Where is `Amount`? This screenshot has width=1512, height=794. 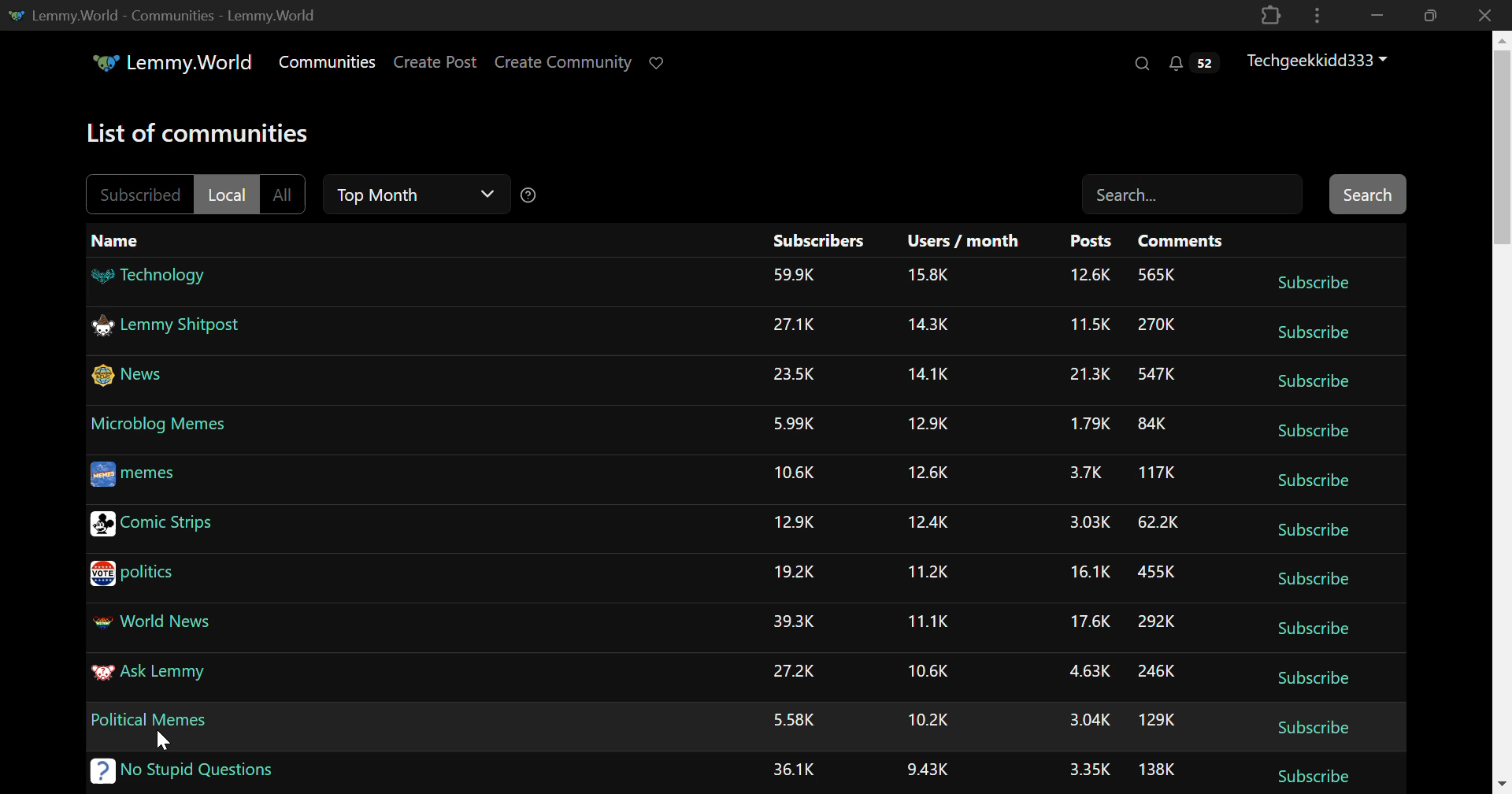
Amount is located at coordinates (931, 276).